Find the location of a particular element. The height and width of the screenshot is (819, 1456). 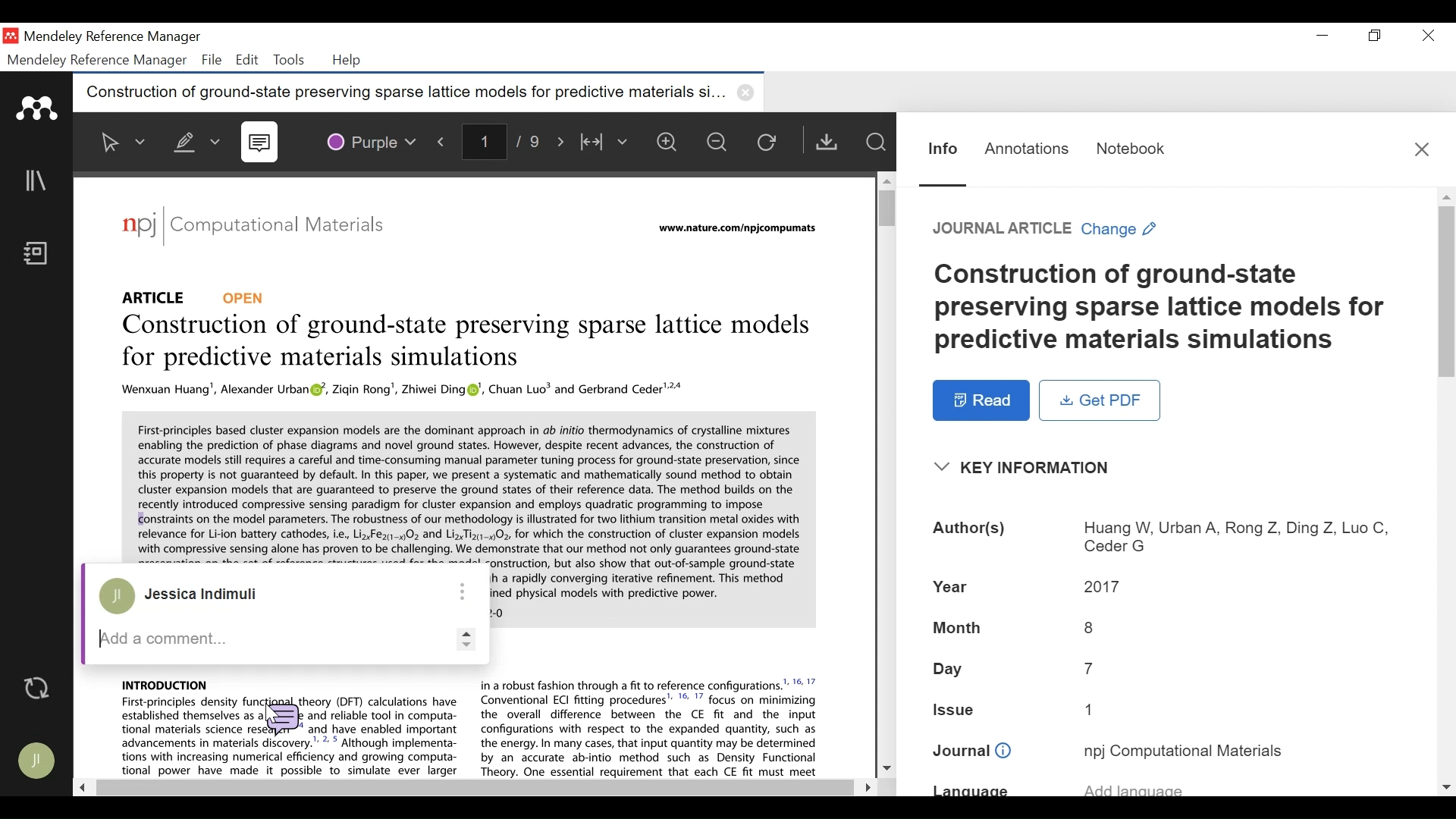

Scroll Right is located at coordinates (864, 785).